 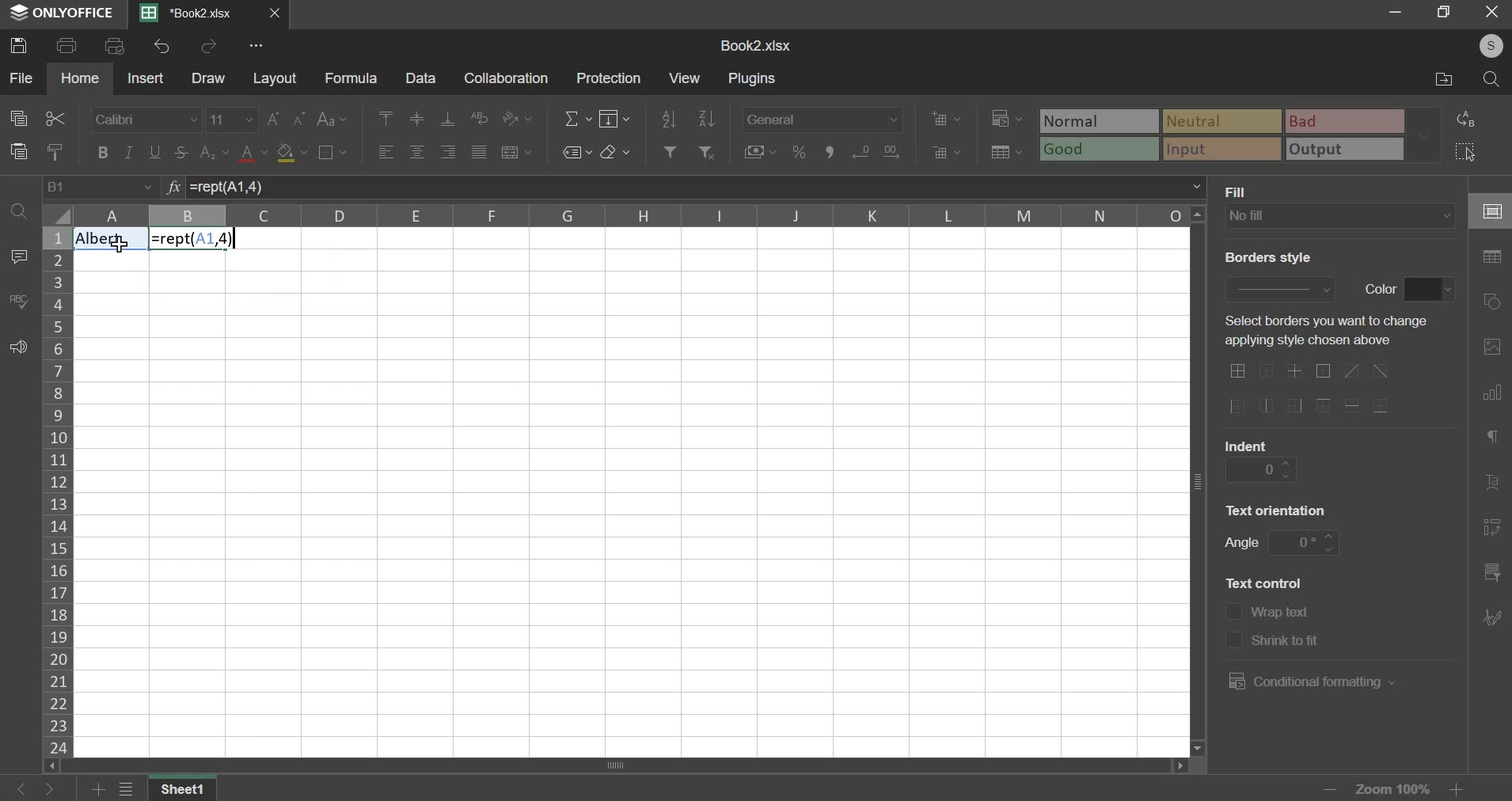 What do you see at coordinates (130, 152) in the screenshot?
I see `italic` at bounding box center [130, 152].